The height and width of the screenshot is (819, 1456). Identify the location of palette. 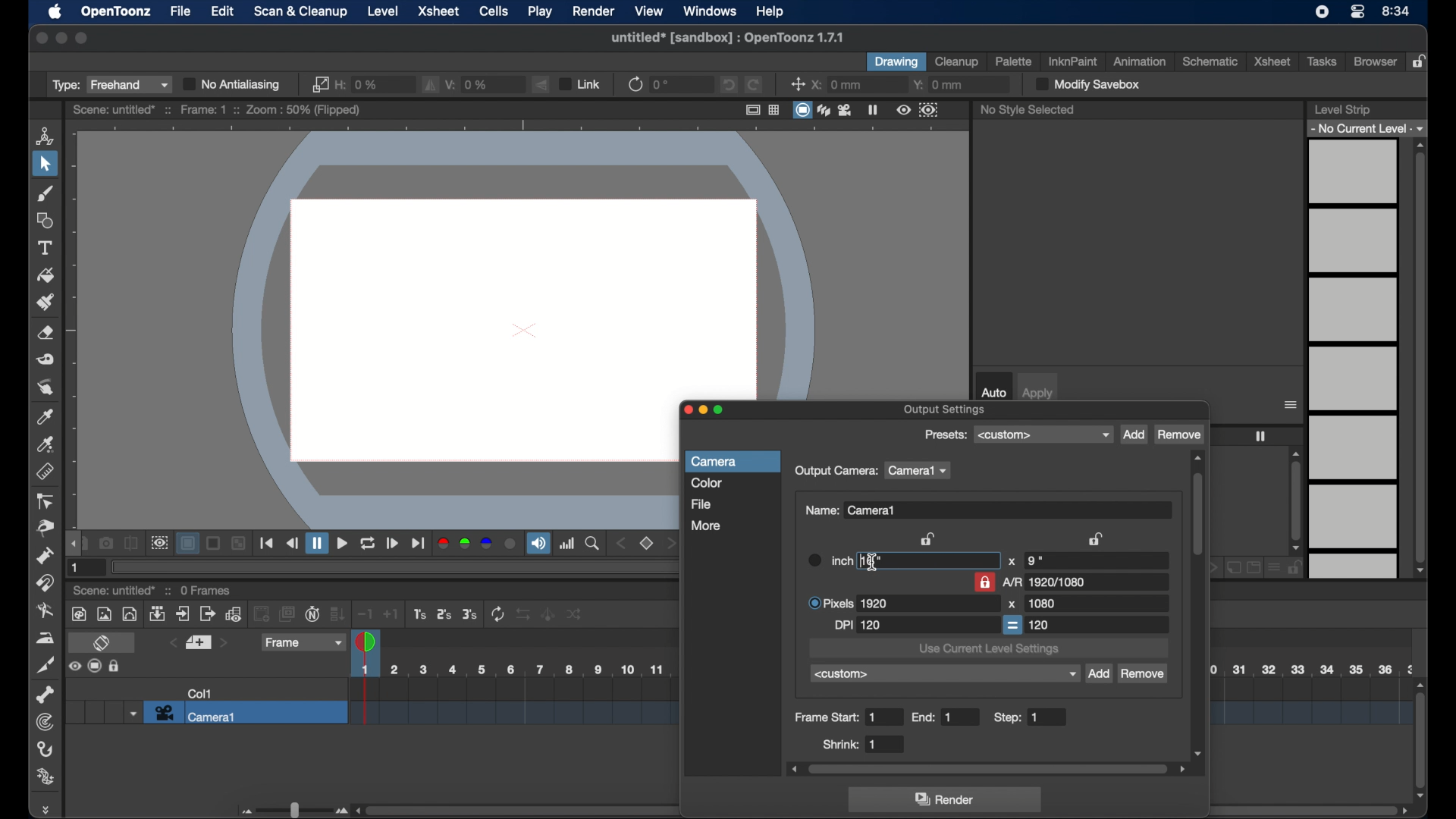
(1014, 61).